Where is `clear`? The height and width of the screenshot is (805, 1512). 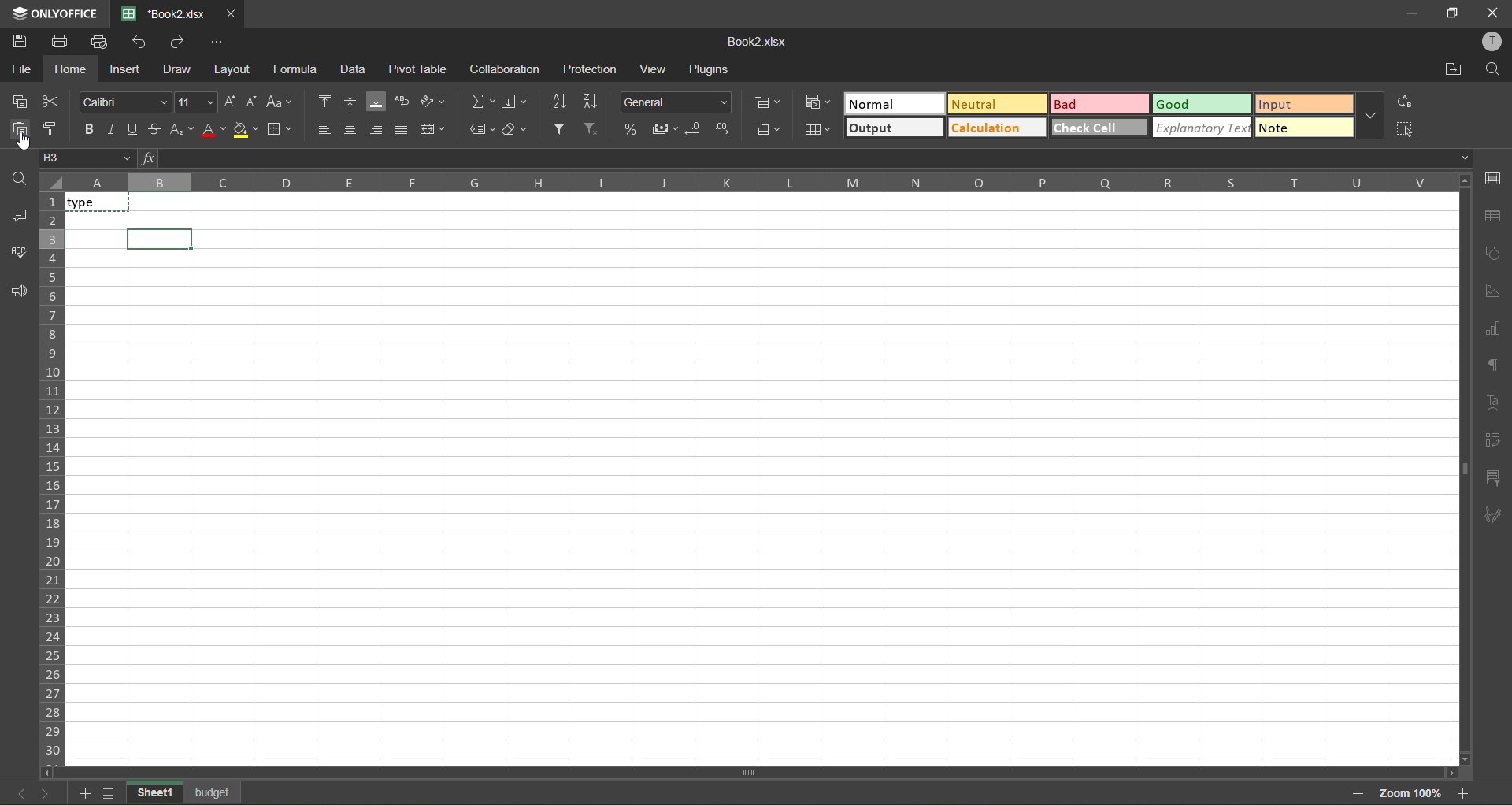 clear is located at coordinates (515, 129).